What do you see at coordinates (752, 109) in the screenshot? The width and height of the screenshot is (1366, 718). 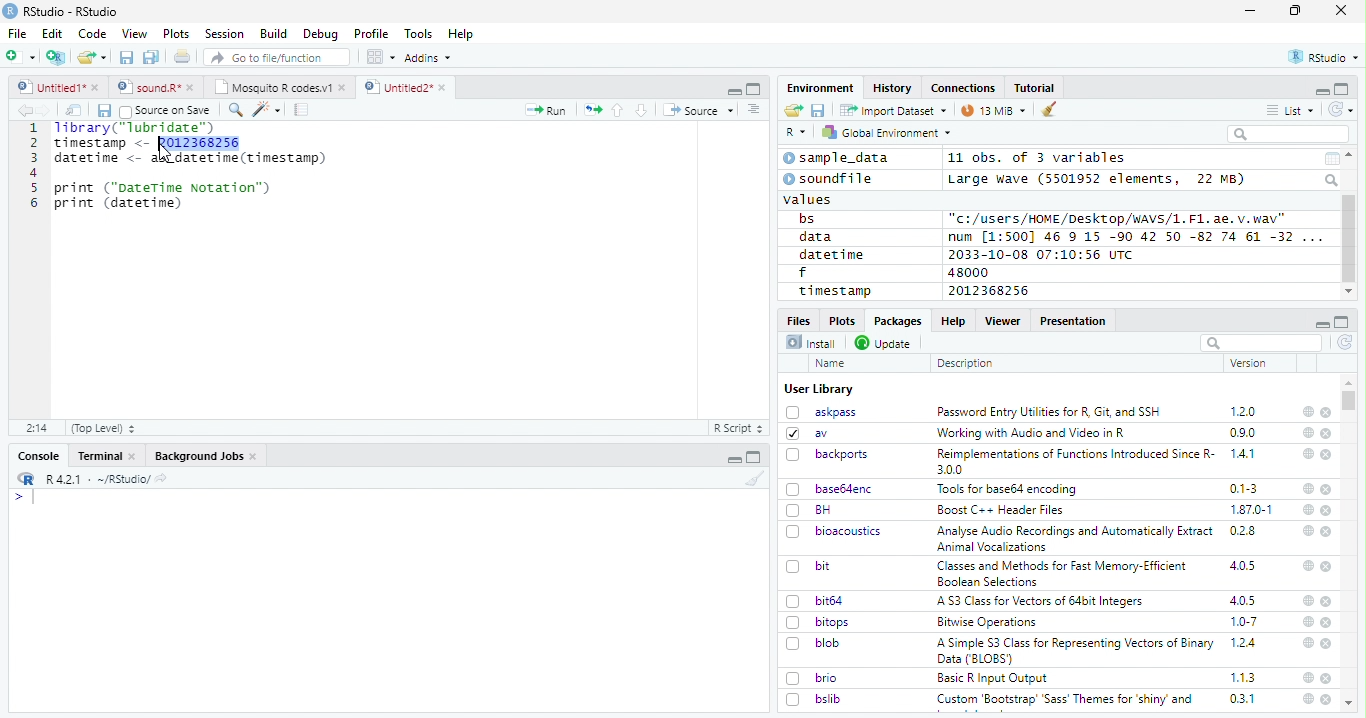 I see `Show document outline` at bounding box center [752, 109].